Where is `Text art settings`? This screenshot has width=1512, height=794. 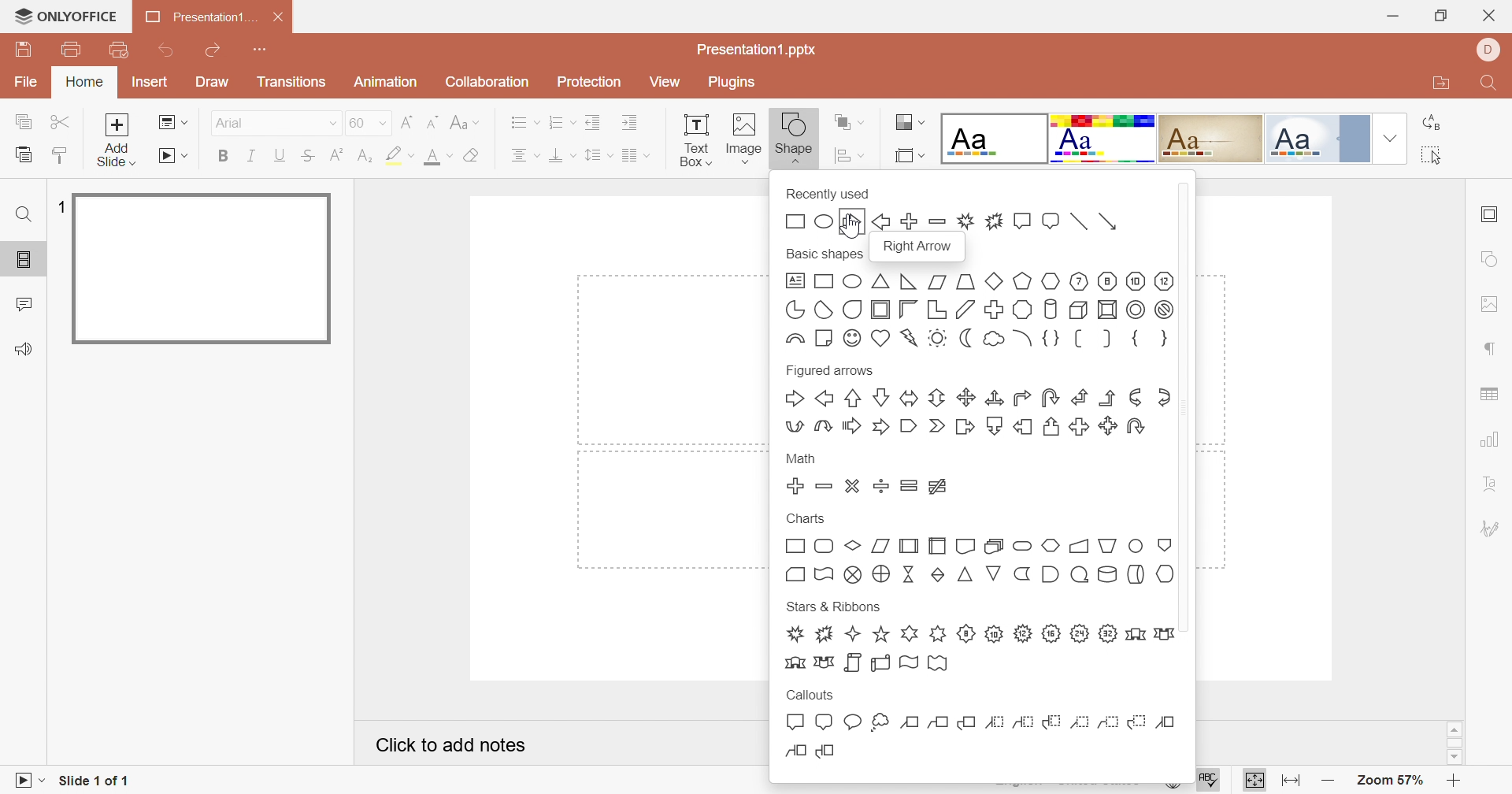
Text art settings is located at coordinates (1491, 483).